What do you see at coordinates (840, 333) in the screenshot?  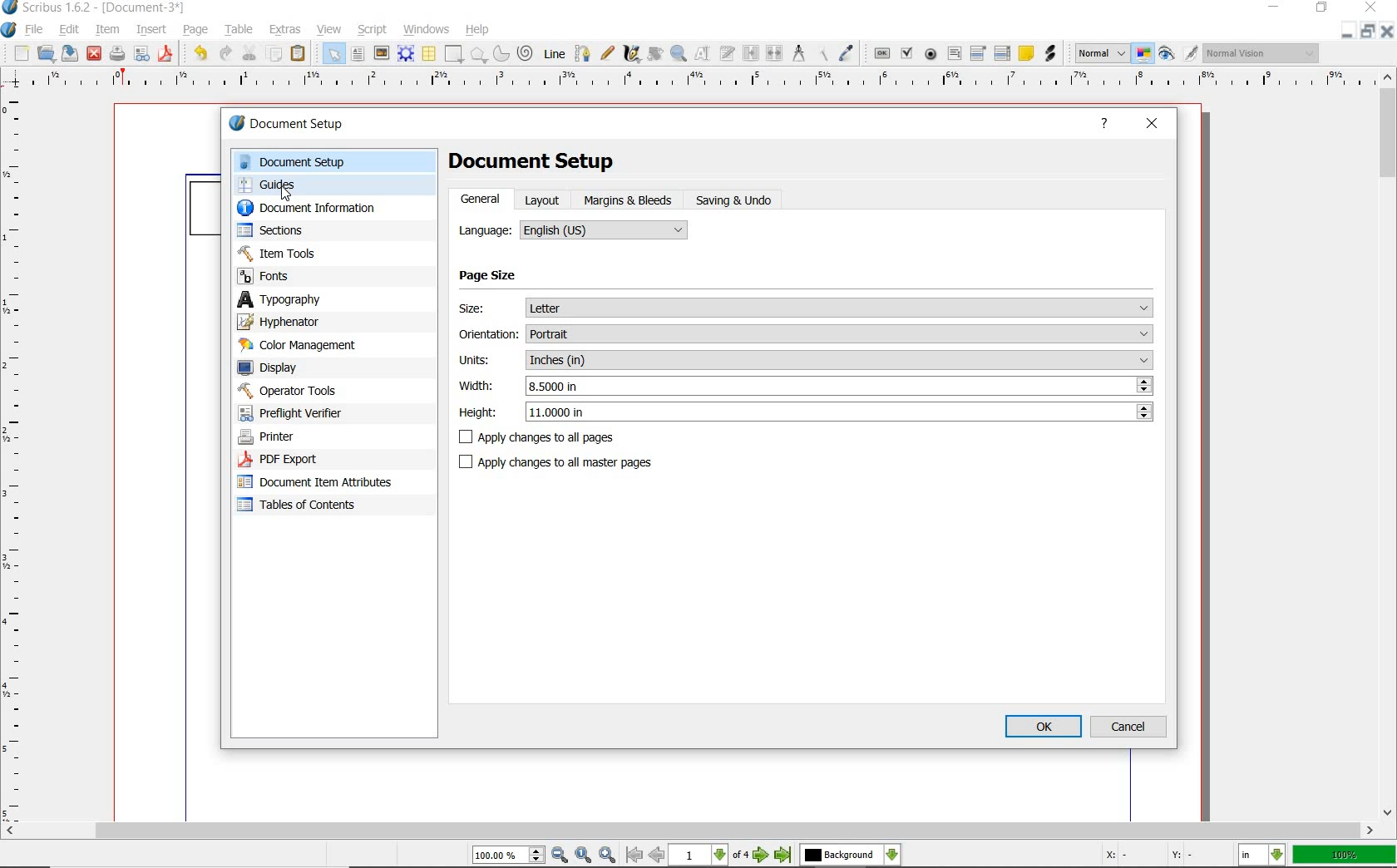 I see `orientation` at bounding box center [840, 333].